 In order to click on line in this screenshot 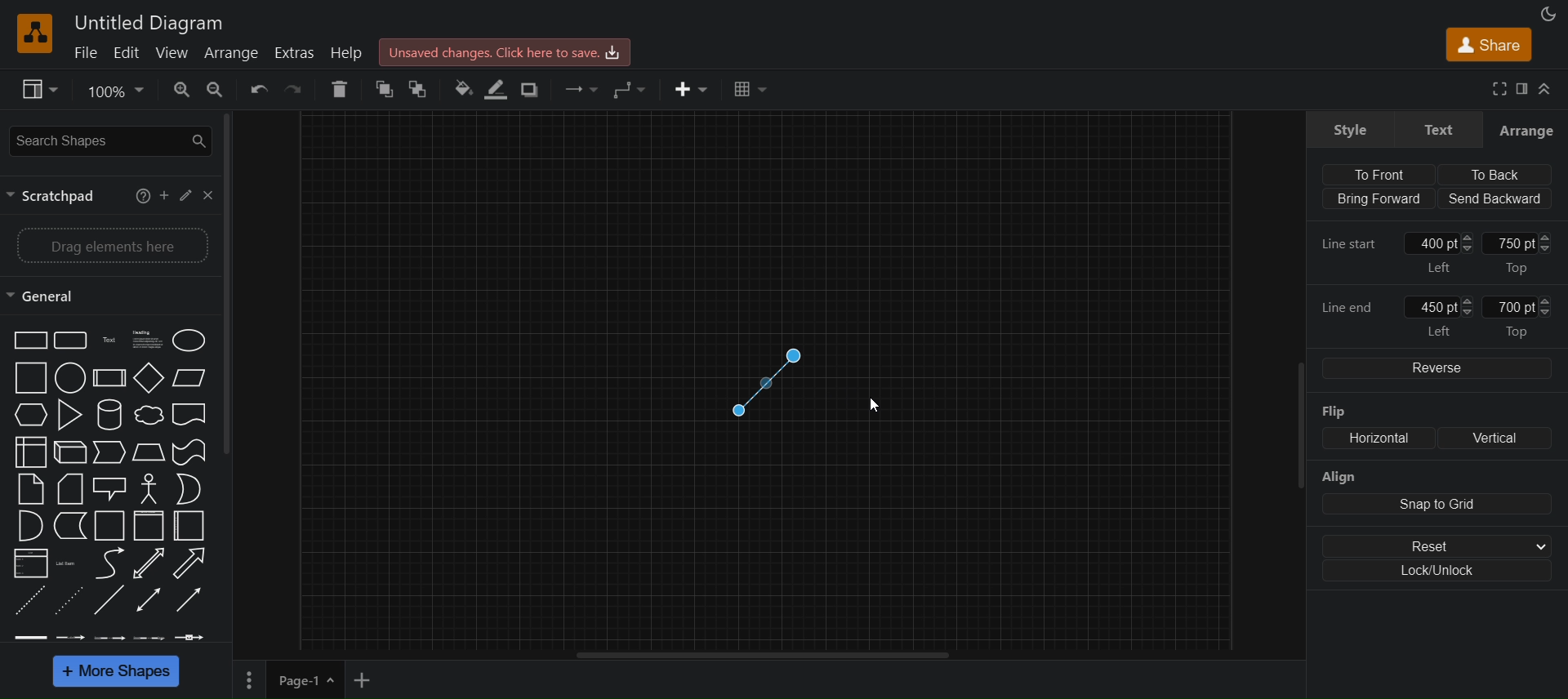, I will do `click(109, 602)`.